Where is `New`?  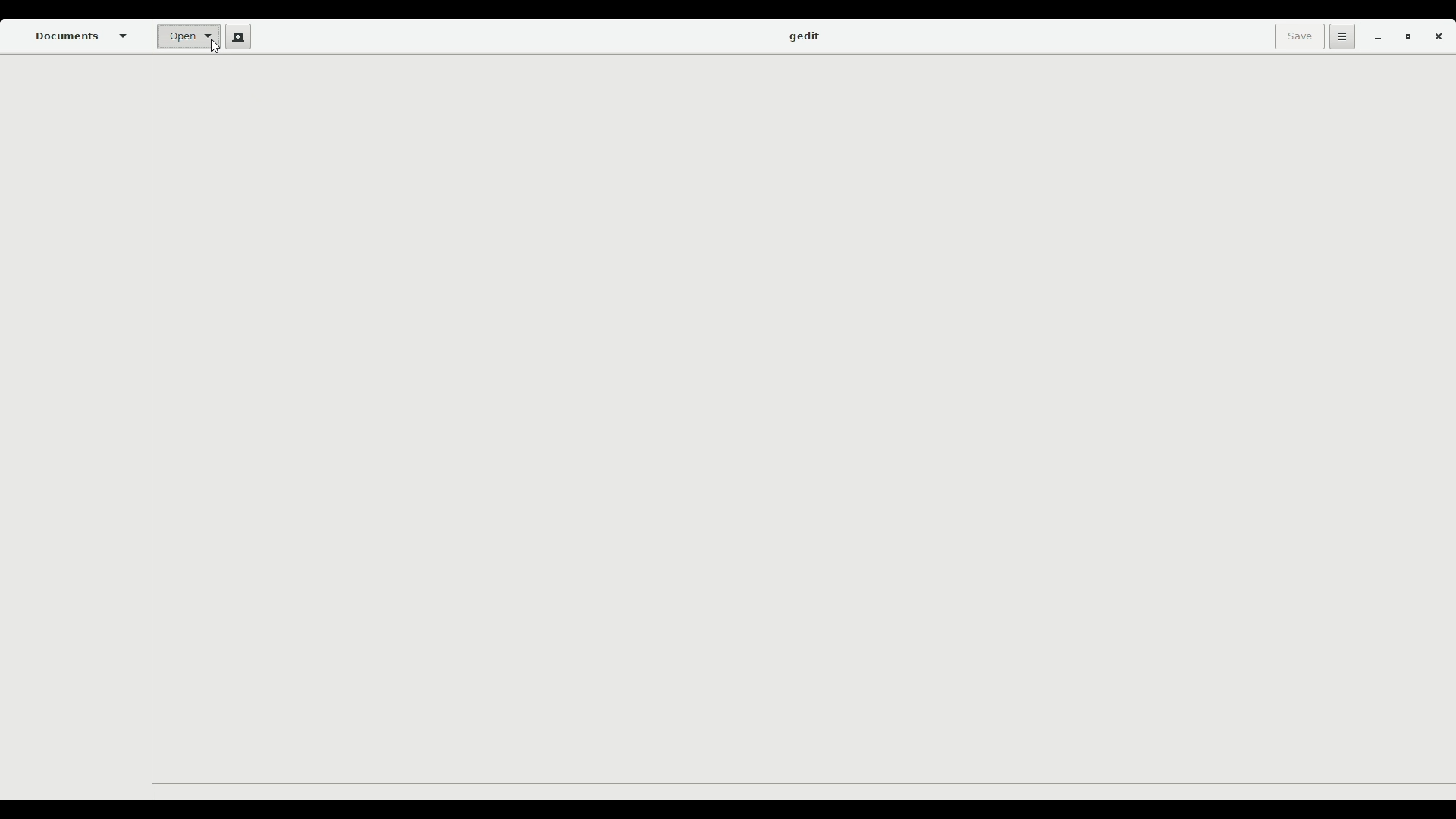 New is located at coordinates (235, 36).